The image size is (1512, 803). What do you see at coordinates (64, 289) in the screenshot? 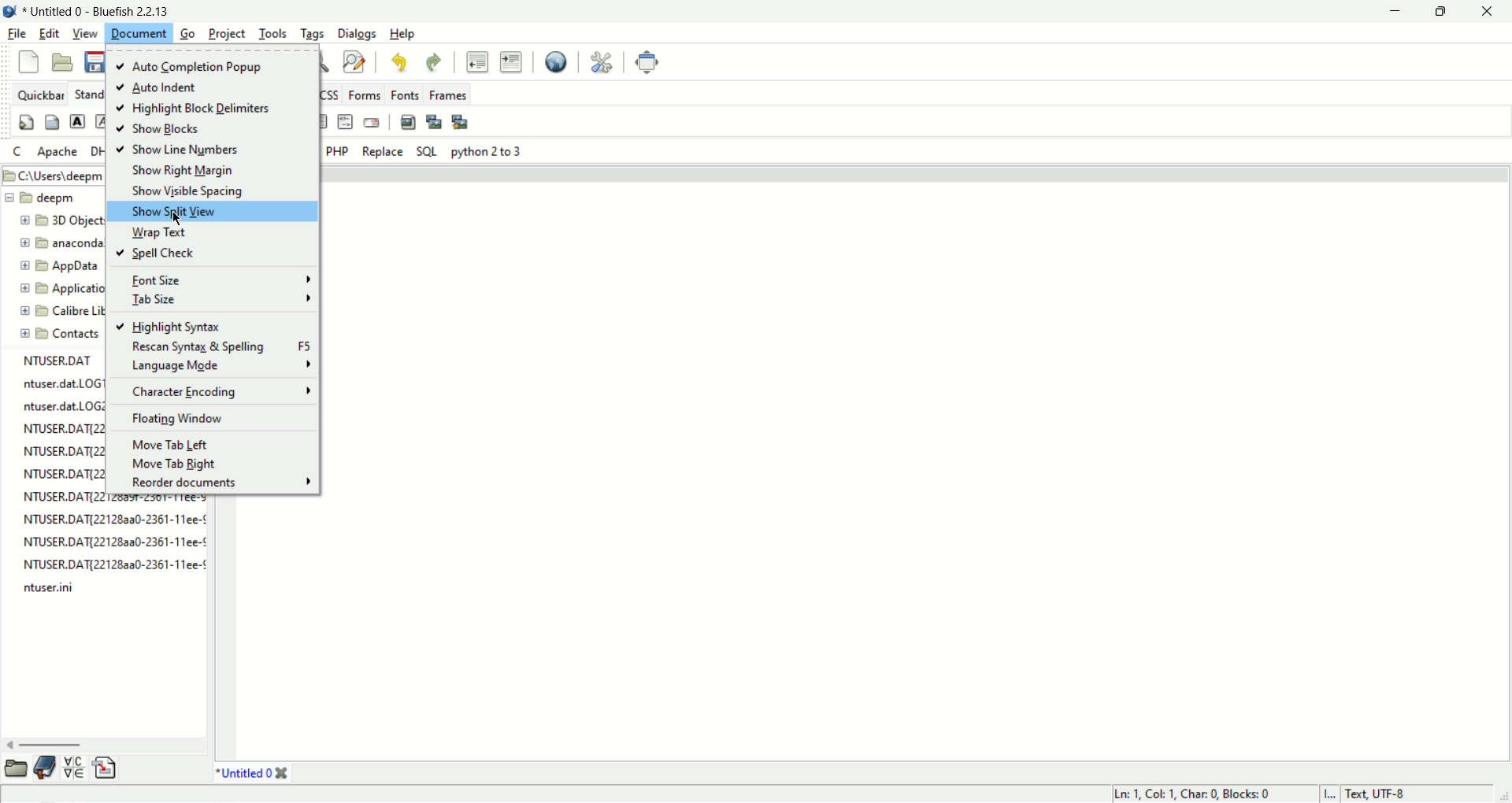
I see `folder name` at bounding box center [64, 289].